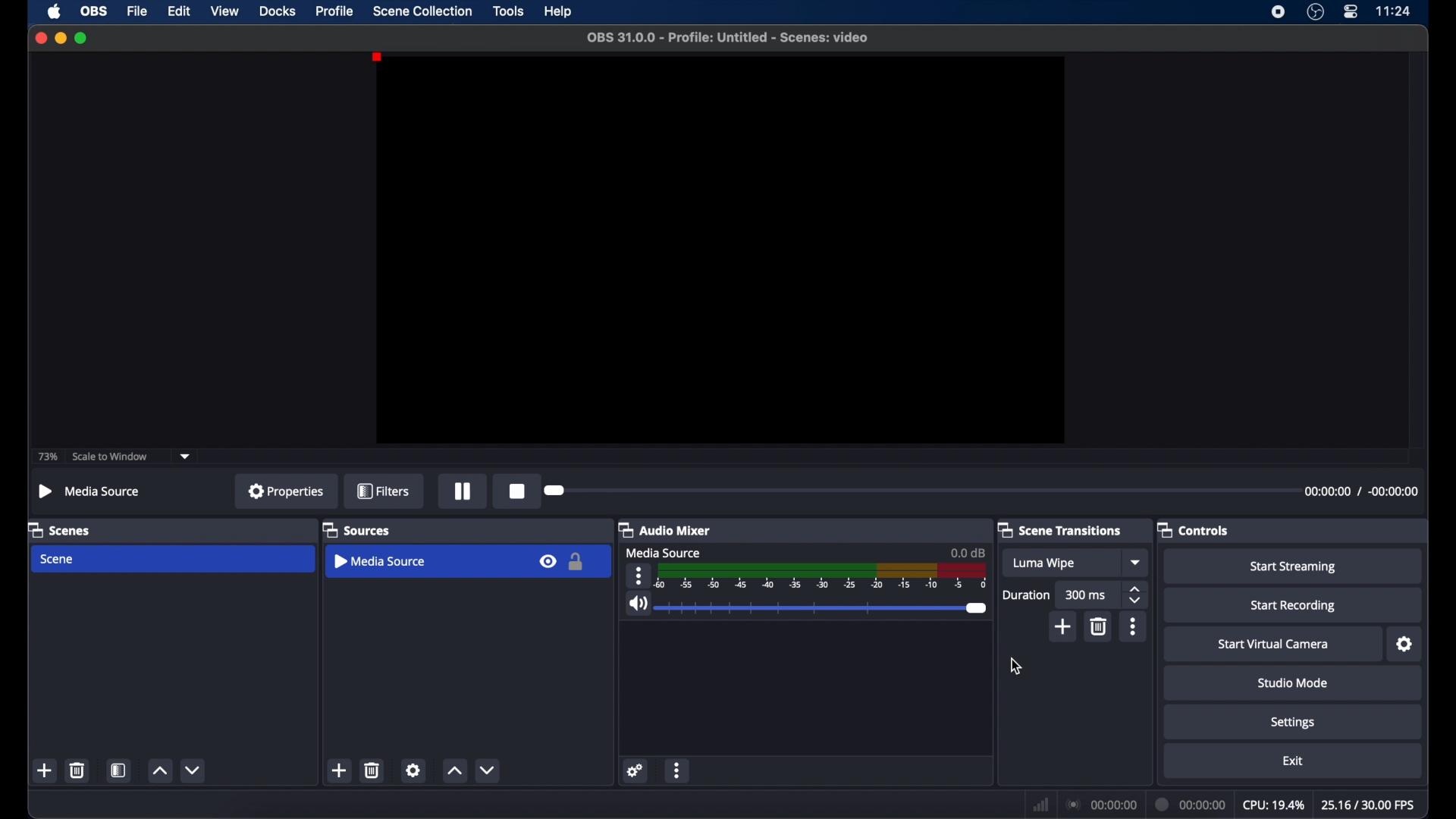 The height and width of the screenshot is (819, 1456). Describe the element at coordinates (509, 11) in the screenshot. I see `tools` at that location.